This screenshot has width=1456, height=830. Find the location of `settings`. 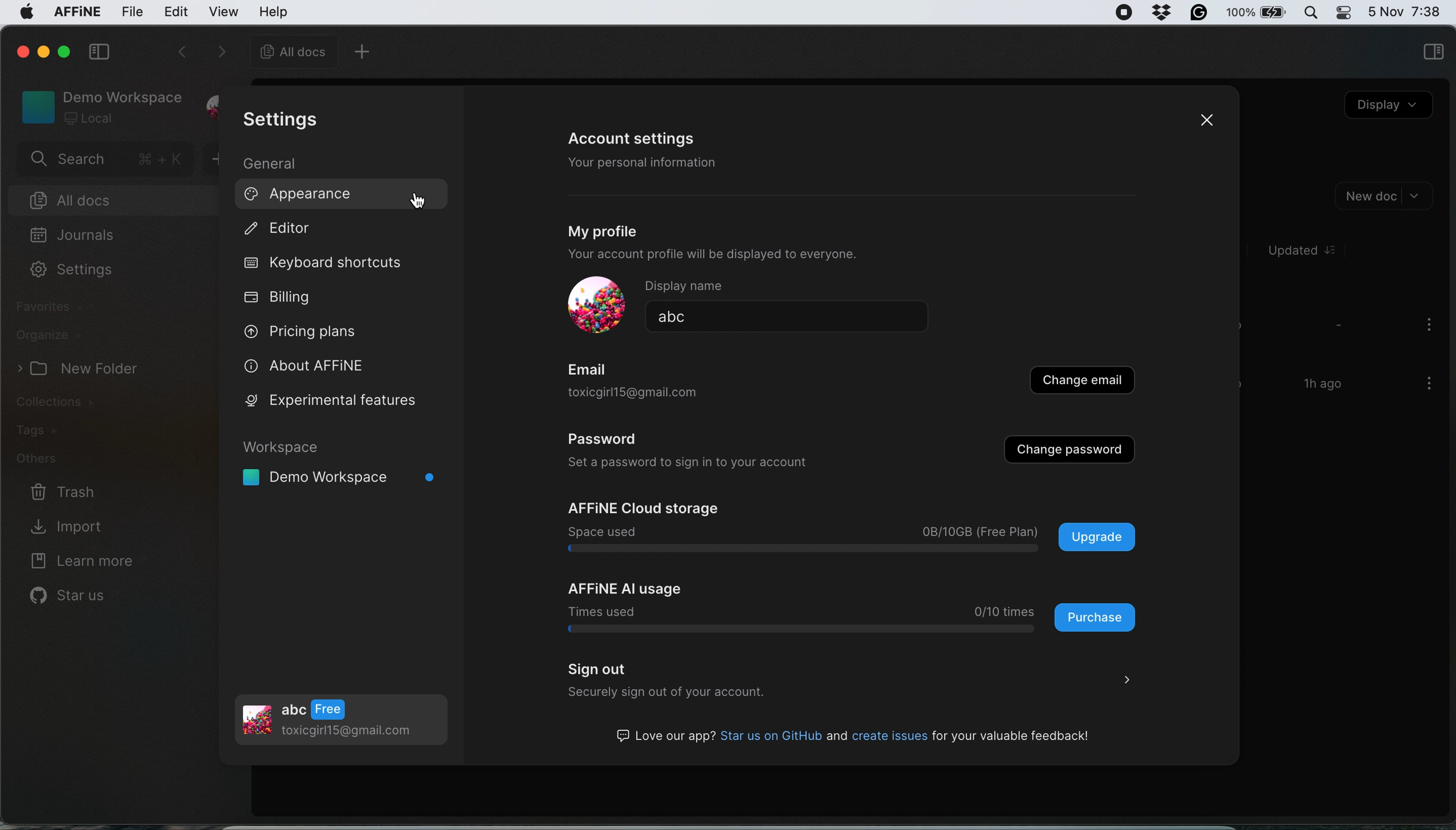

settings is located at coordinates (72, 272).